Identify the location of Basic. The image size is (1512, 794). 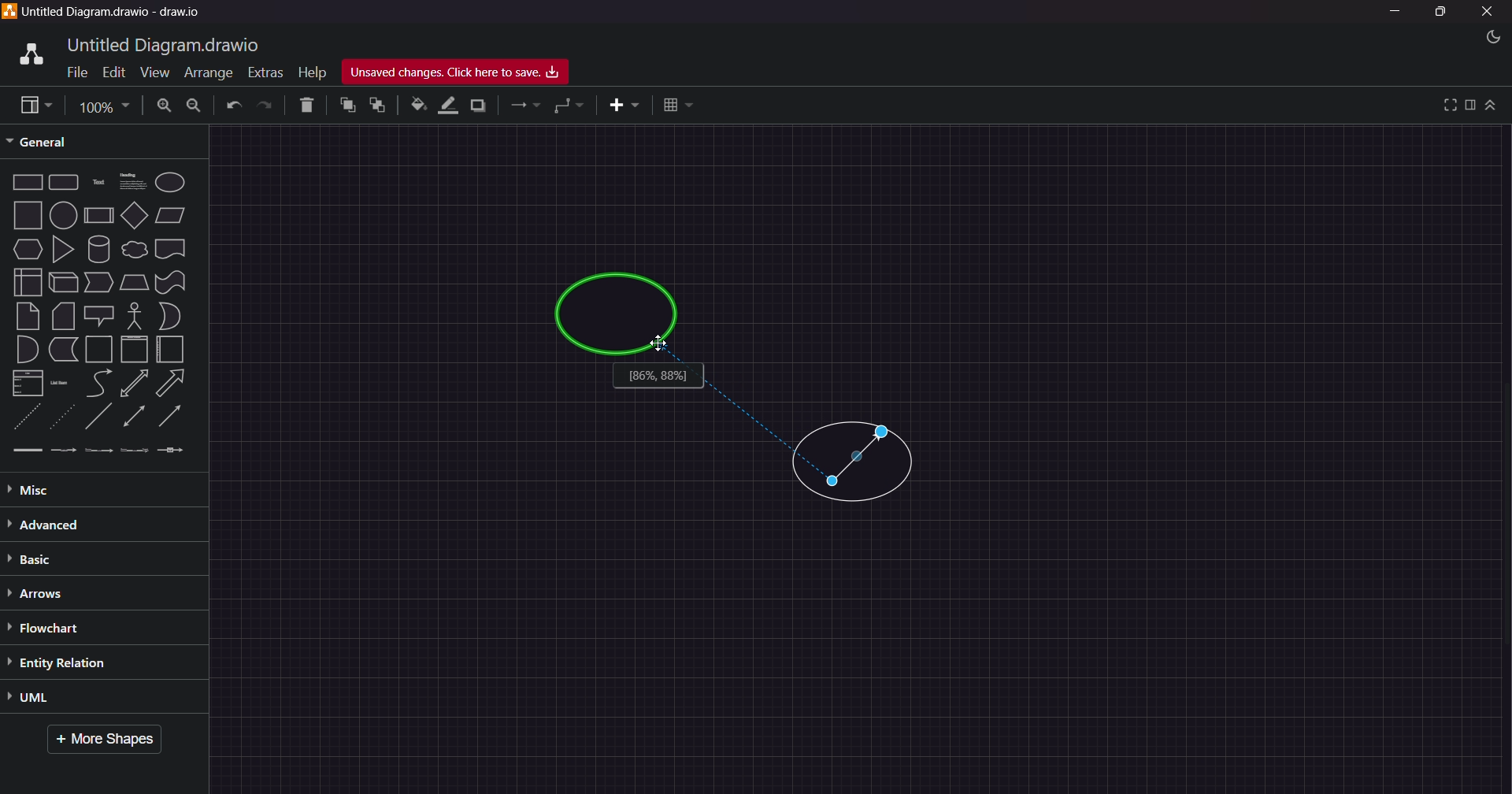
(43, 559).